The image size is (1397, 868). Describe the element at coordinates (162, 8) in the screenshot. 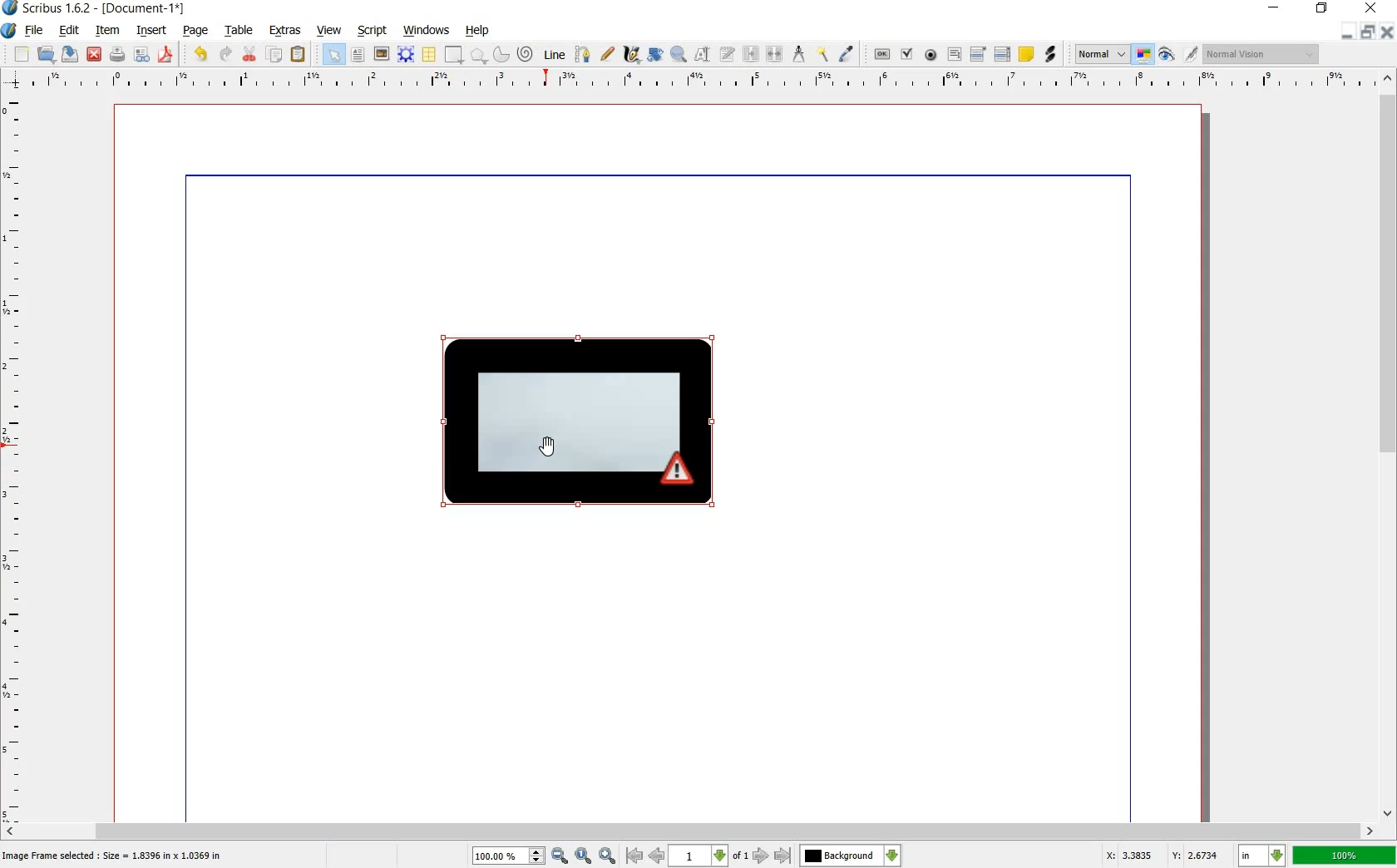

I see `-[Document-1*]` at that location.